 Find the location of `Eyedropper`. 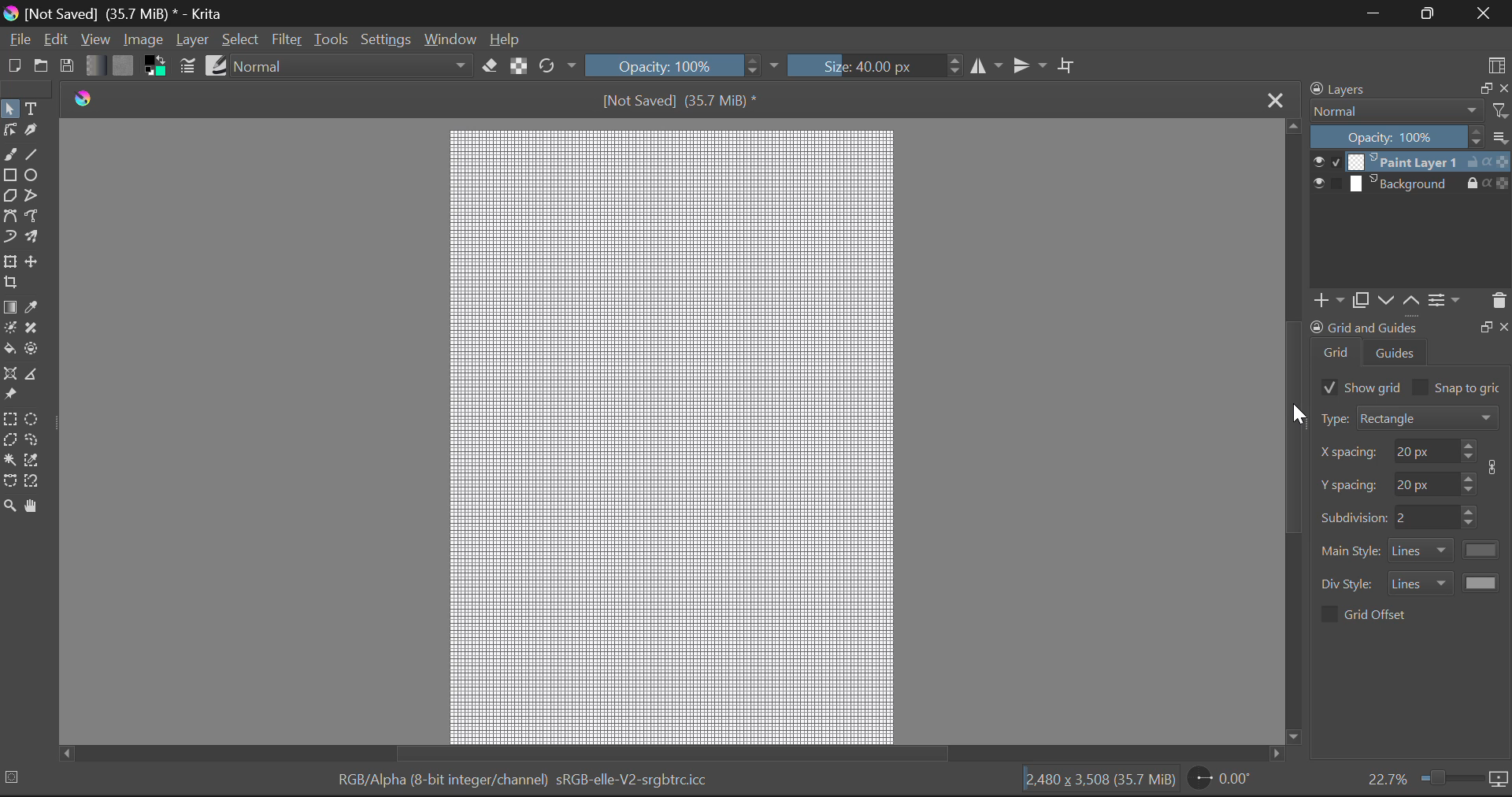

Eyedropper is located at coordinates (32, 309).